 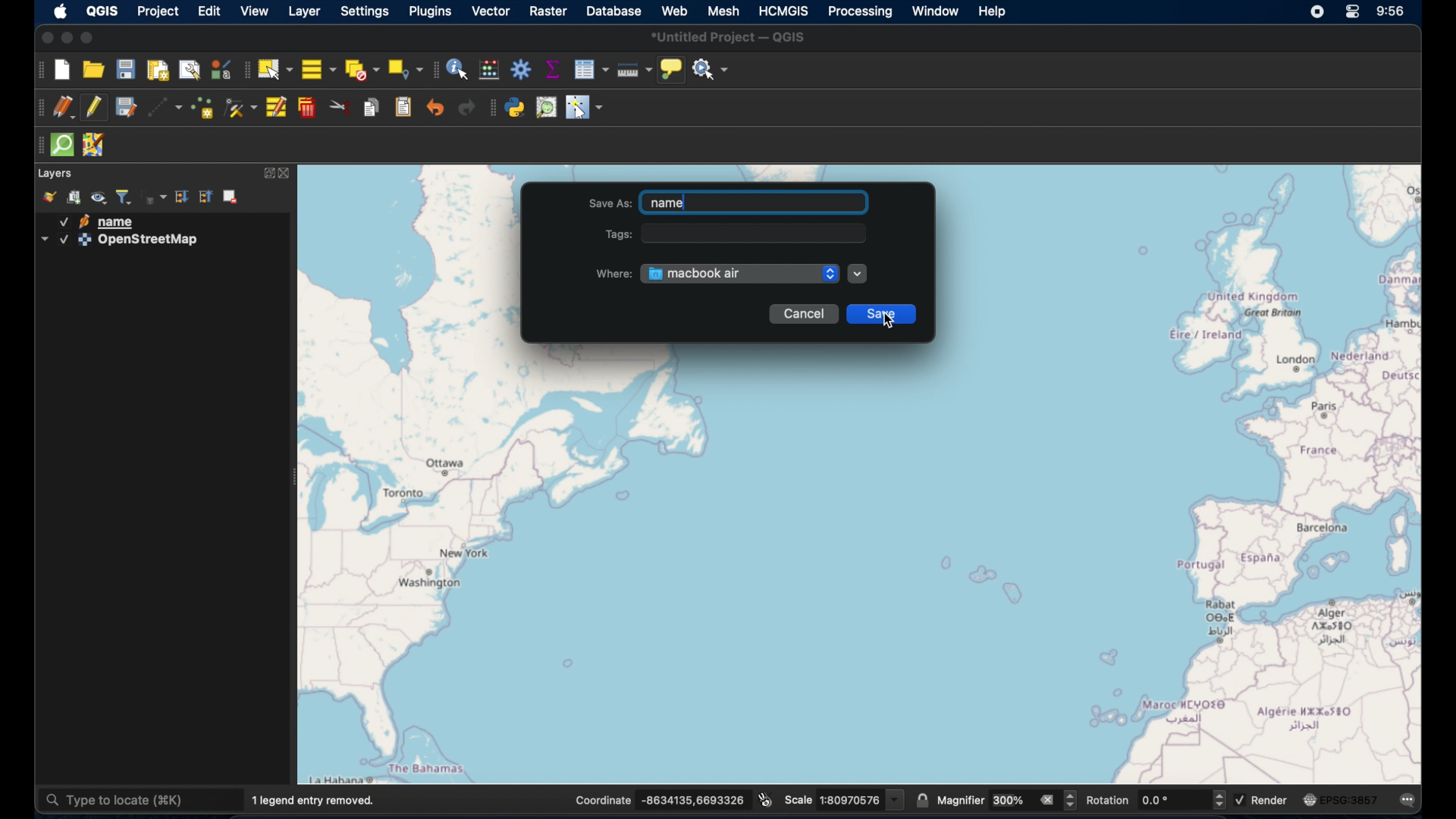 I want to click on expand all, so click(x=184, y=196).